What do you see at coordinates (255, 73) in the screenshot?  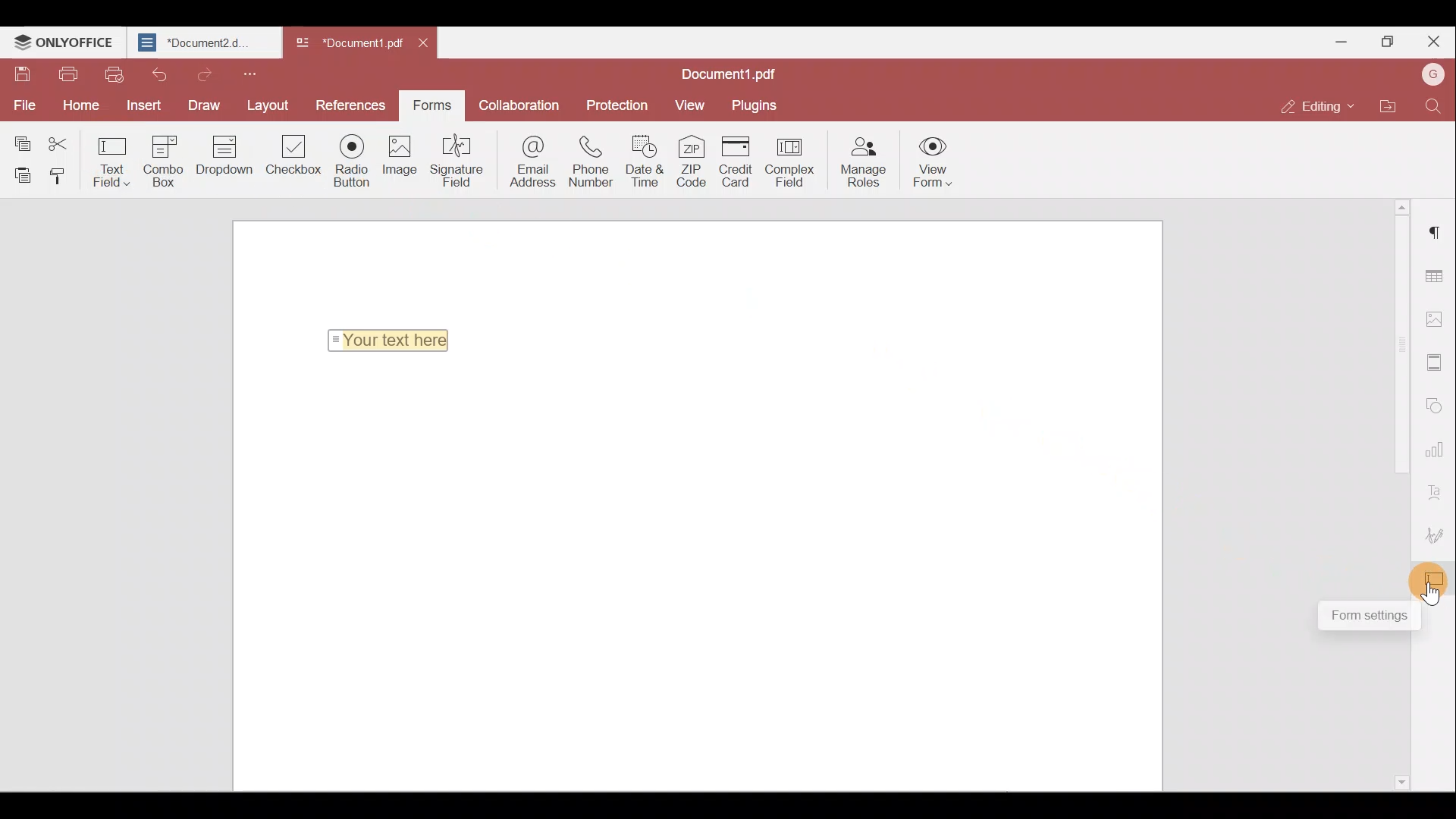 I see `Customize quick access toolbar` at bounding box center [255, 73].